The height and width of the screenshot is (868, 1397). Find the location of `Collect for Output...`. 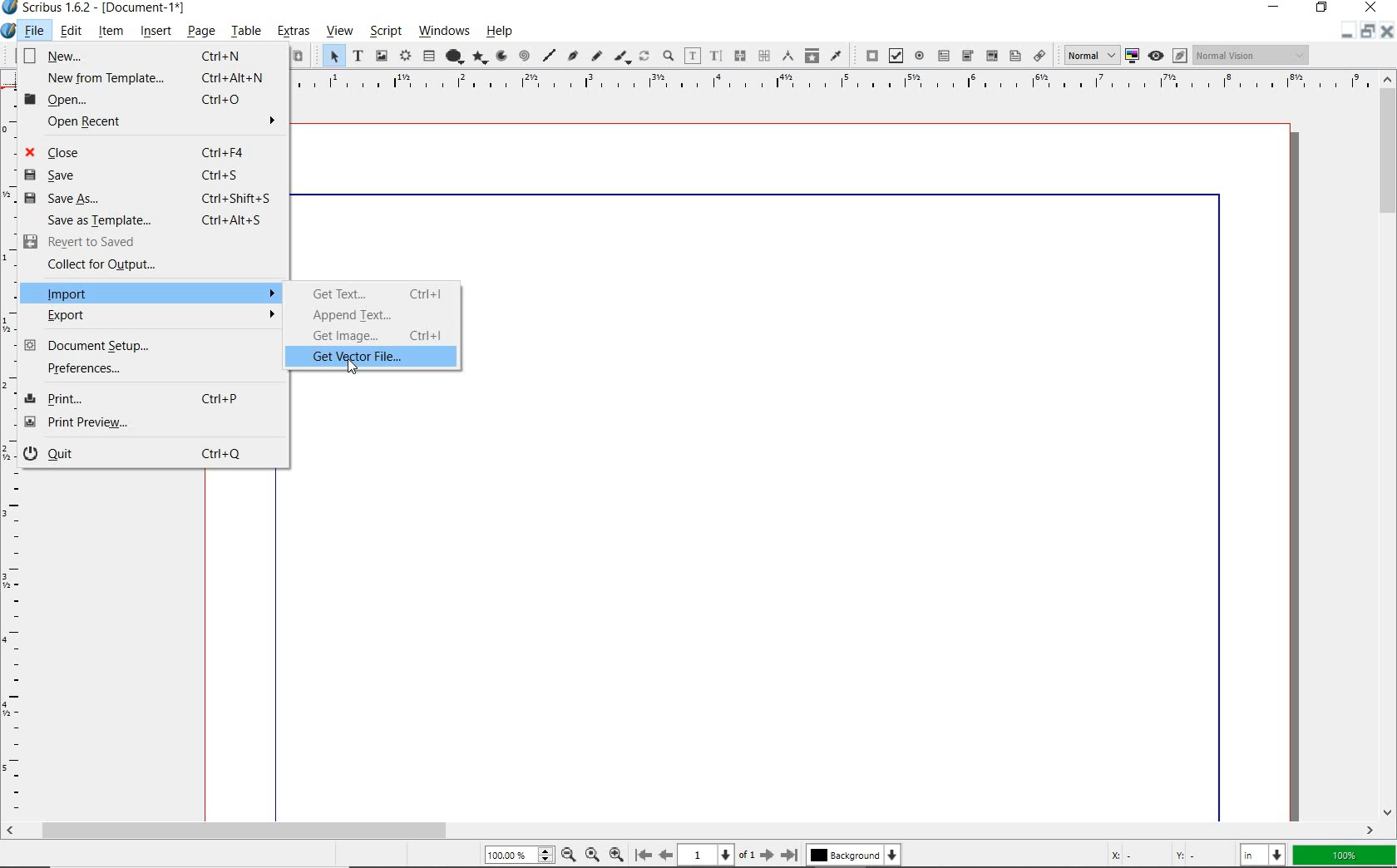

Collect for Output... is located at coordinates (156, 265).